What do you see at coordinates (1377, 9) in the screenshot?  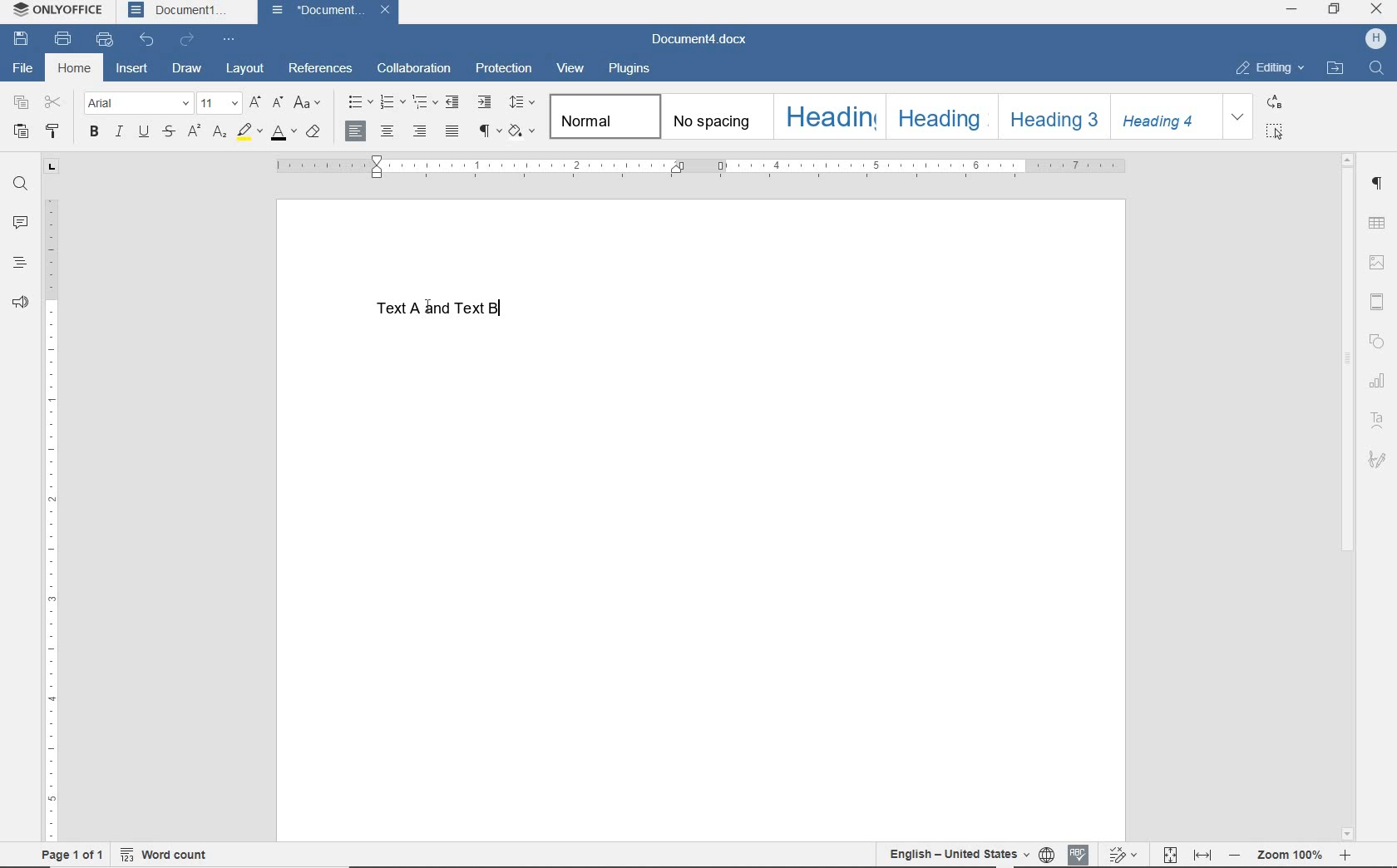 I see `close` at bounding box center [1377, 9].